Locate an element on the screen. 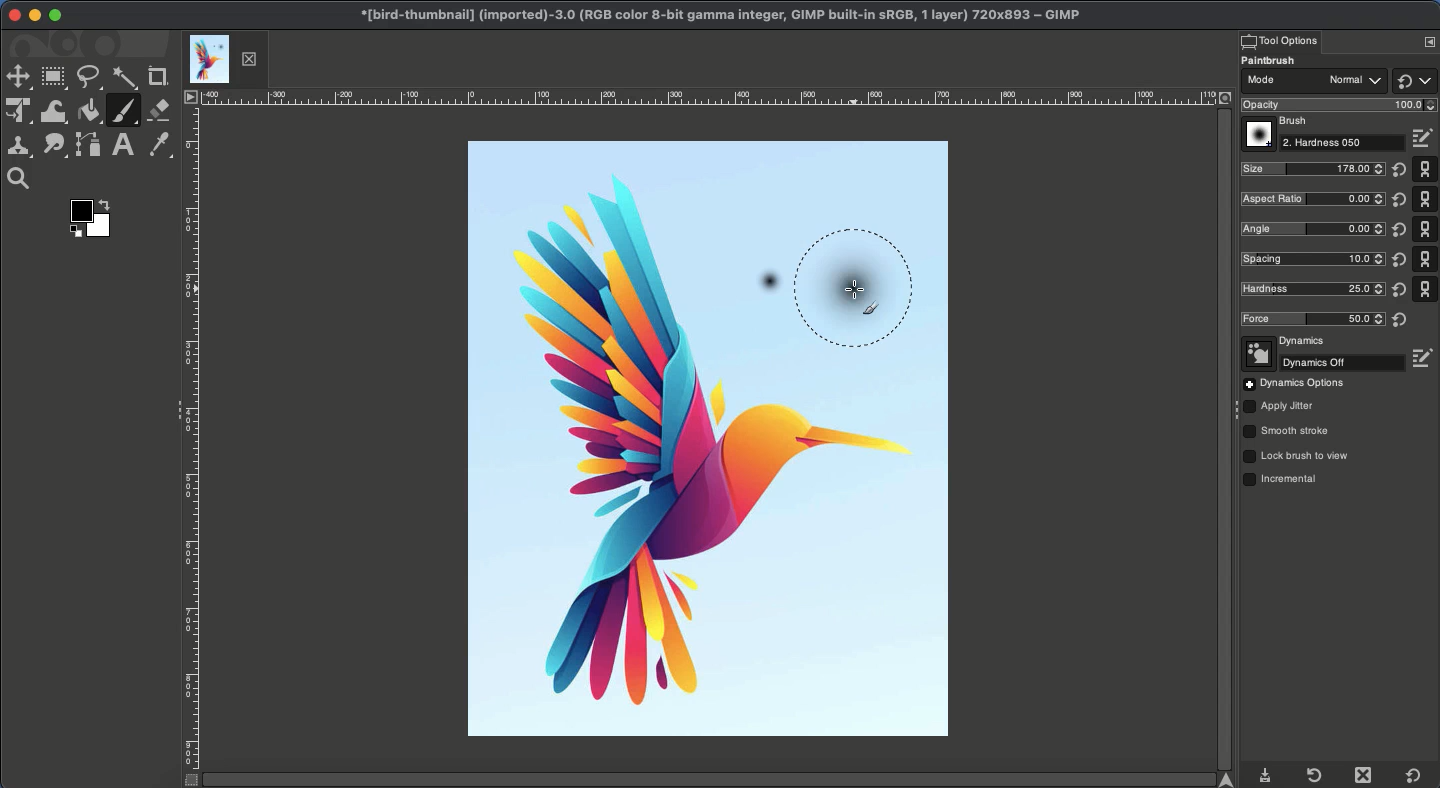  Refresh is located at coordinates (1313, 775).